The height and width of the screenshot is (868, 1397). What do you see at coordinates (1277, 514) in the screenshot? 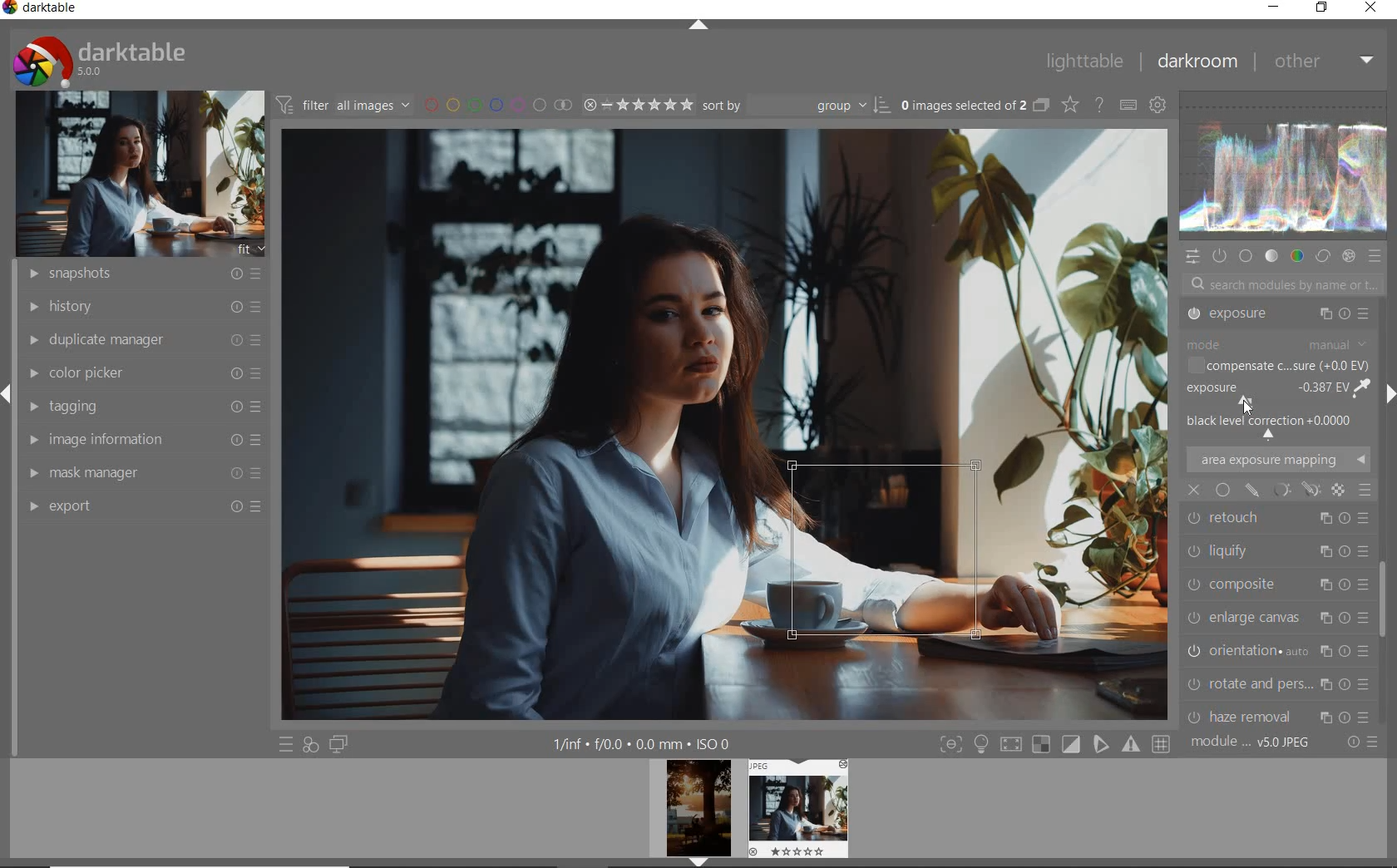
I see `ENLARGE CANVAS` at bounding box center [1277, 514].